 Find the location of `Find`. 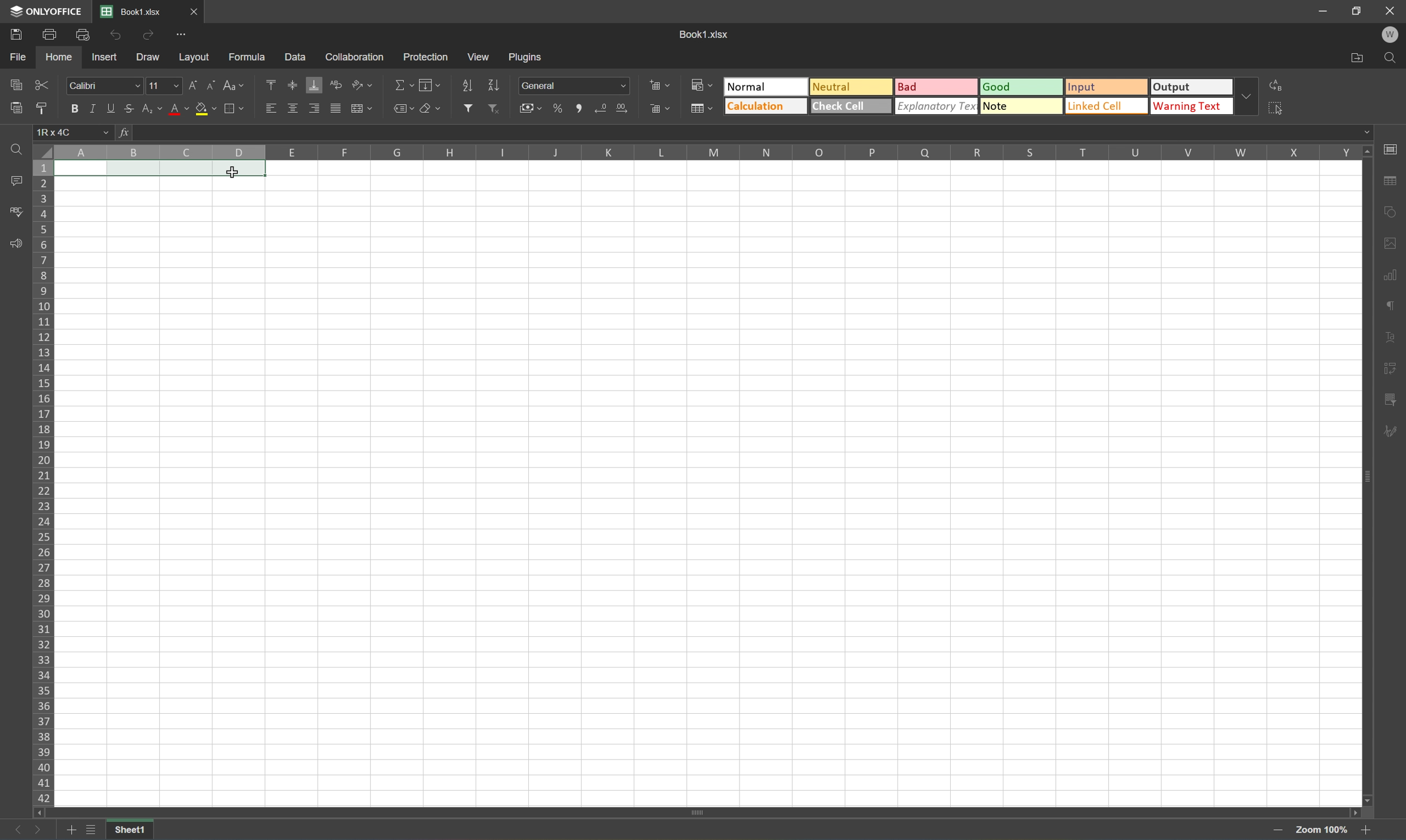

Find is located at coordinates (1393, 58).